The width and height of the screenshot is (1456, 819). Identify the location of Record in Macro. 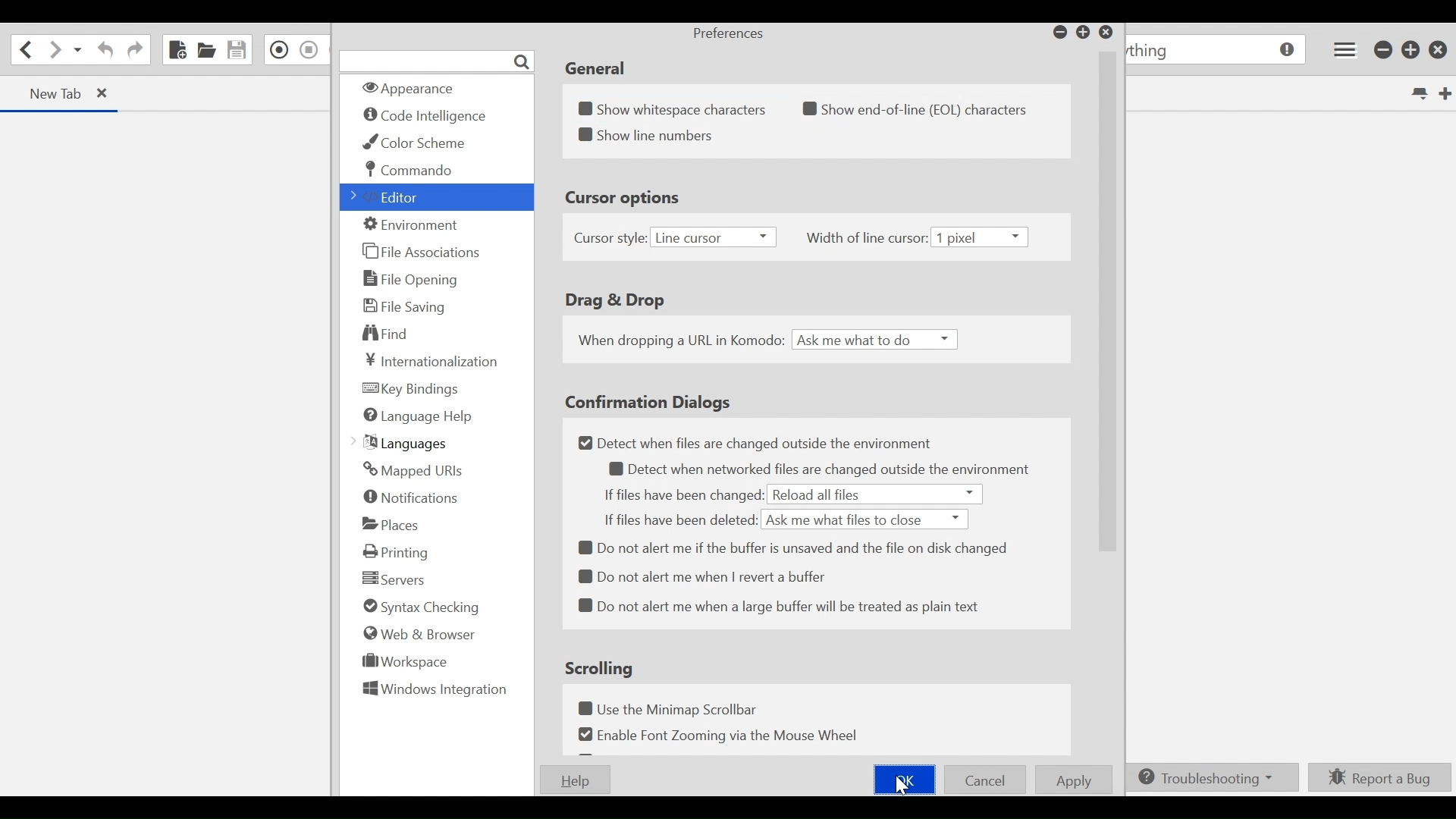
(277, 50).